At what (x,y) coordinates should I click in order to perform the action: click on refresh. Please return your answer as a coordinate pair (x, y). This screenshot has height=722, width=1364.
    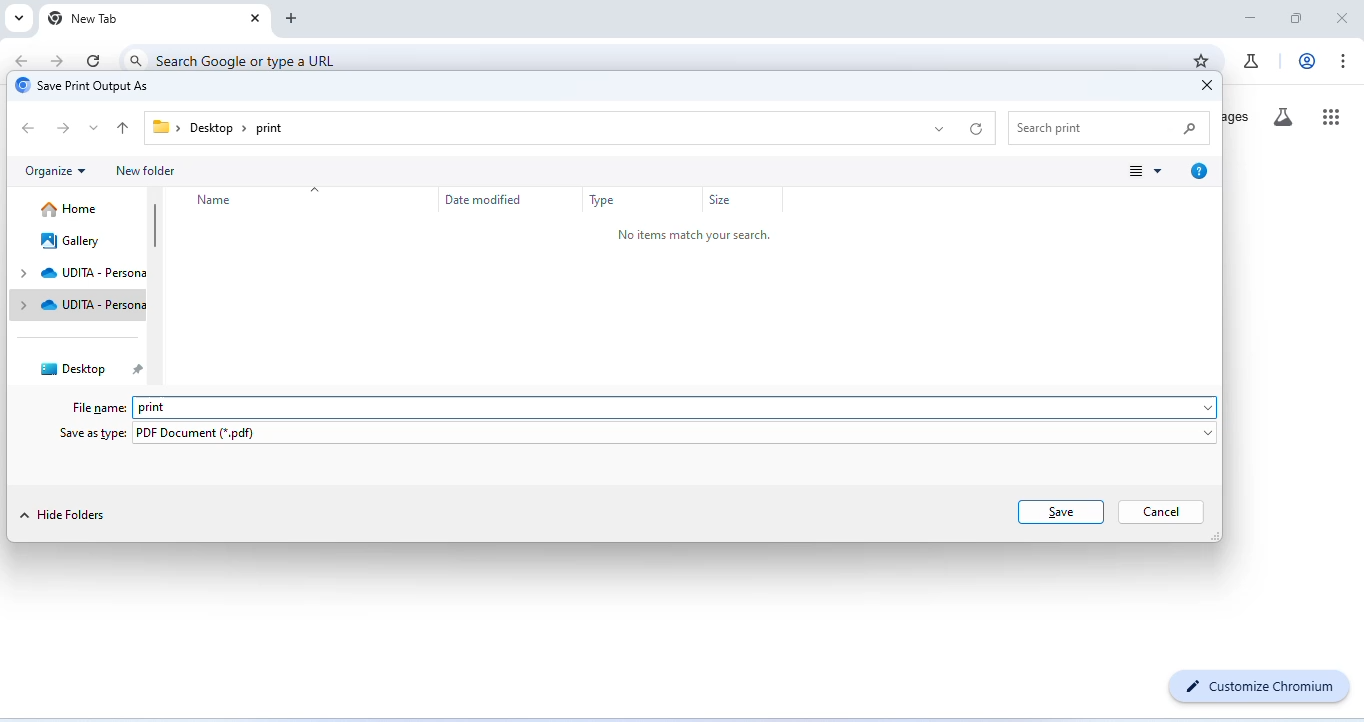
    Looking at the image, I should click on (95, 60).